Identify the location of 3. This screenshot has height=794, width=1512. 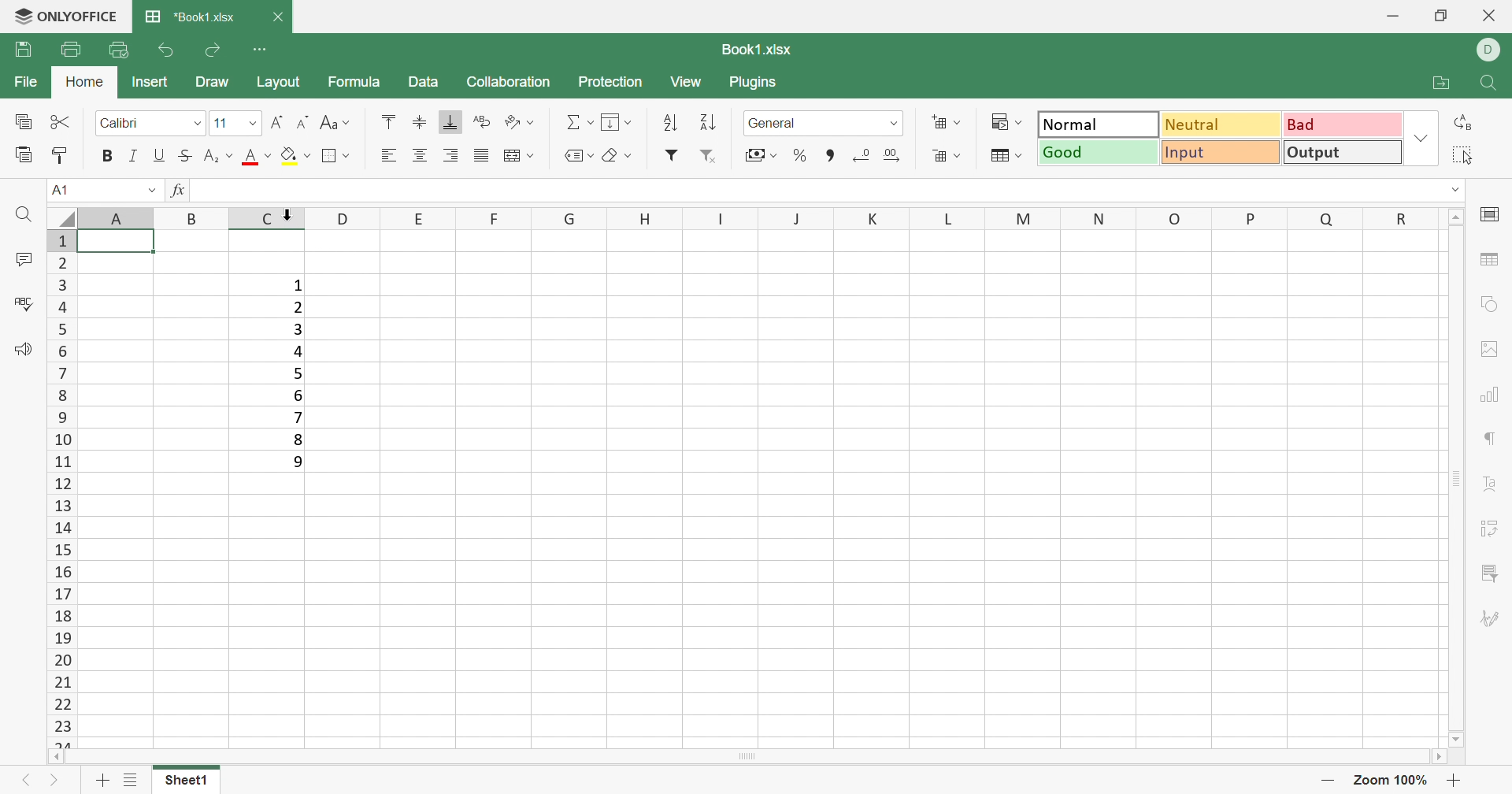
(296, 329).